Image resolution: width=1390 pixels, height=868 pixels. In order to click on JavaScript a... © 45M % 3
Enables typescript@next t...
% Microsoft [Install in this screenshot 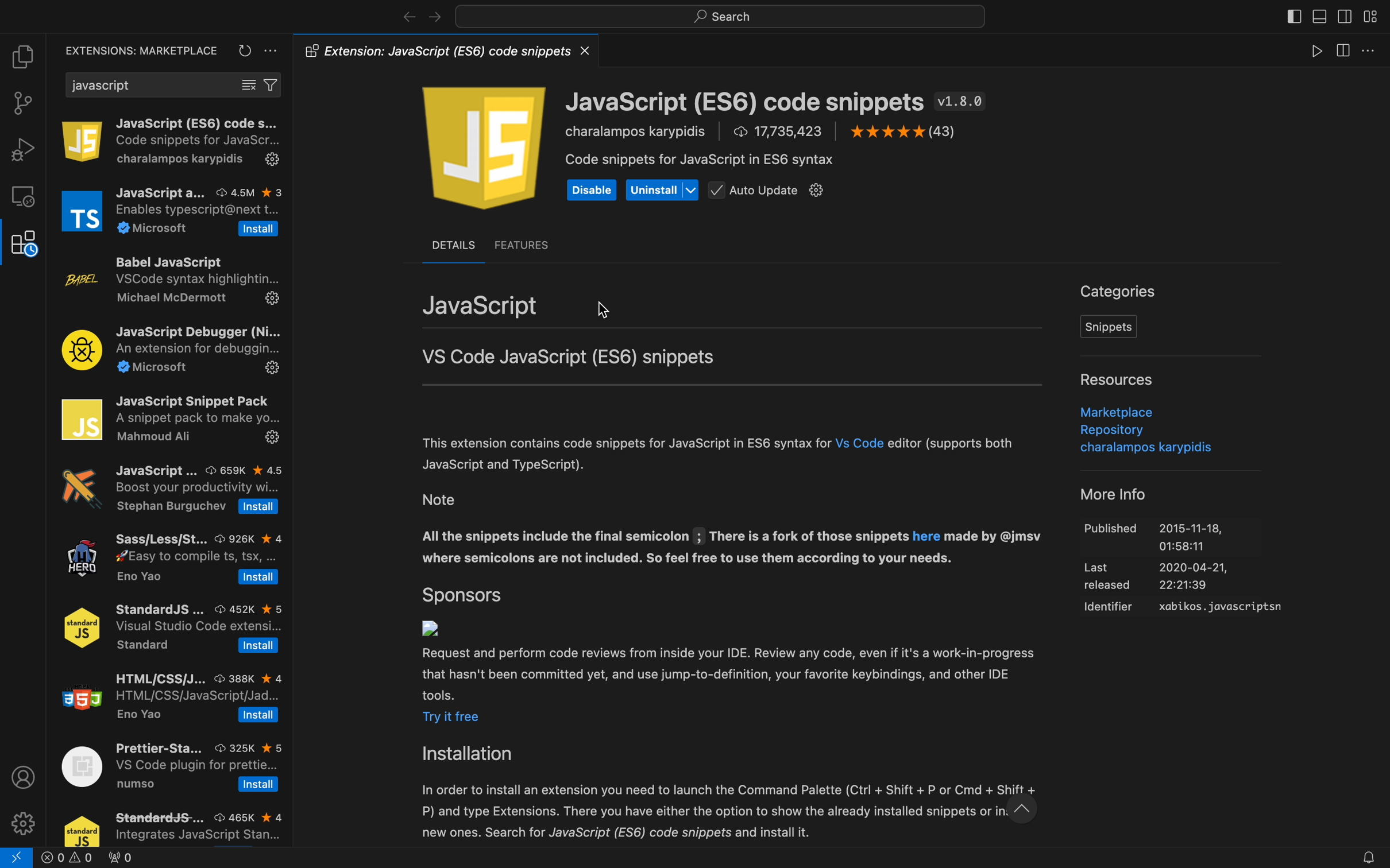, I will do `click(169, 207)`.